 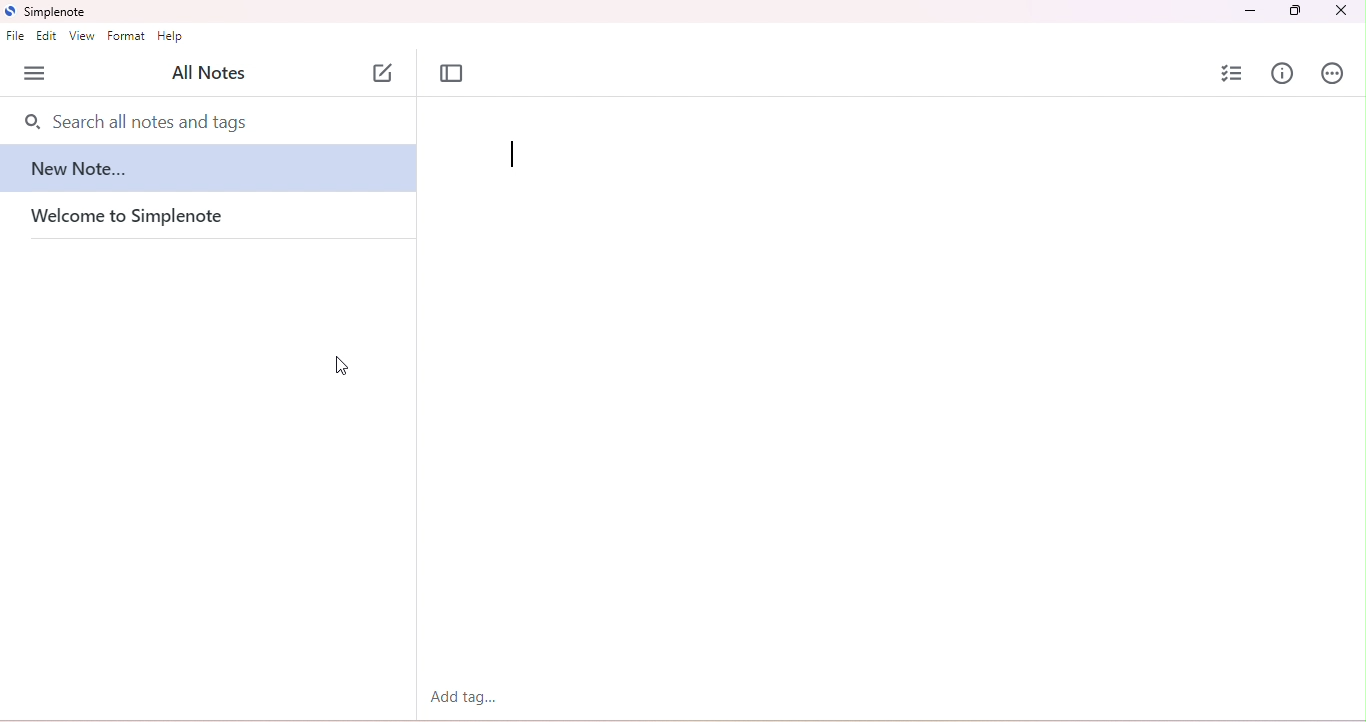 What do you see at coordinates (1331, 73) in the screenshot?
I see `actions` at bounding box center [1331, 73].